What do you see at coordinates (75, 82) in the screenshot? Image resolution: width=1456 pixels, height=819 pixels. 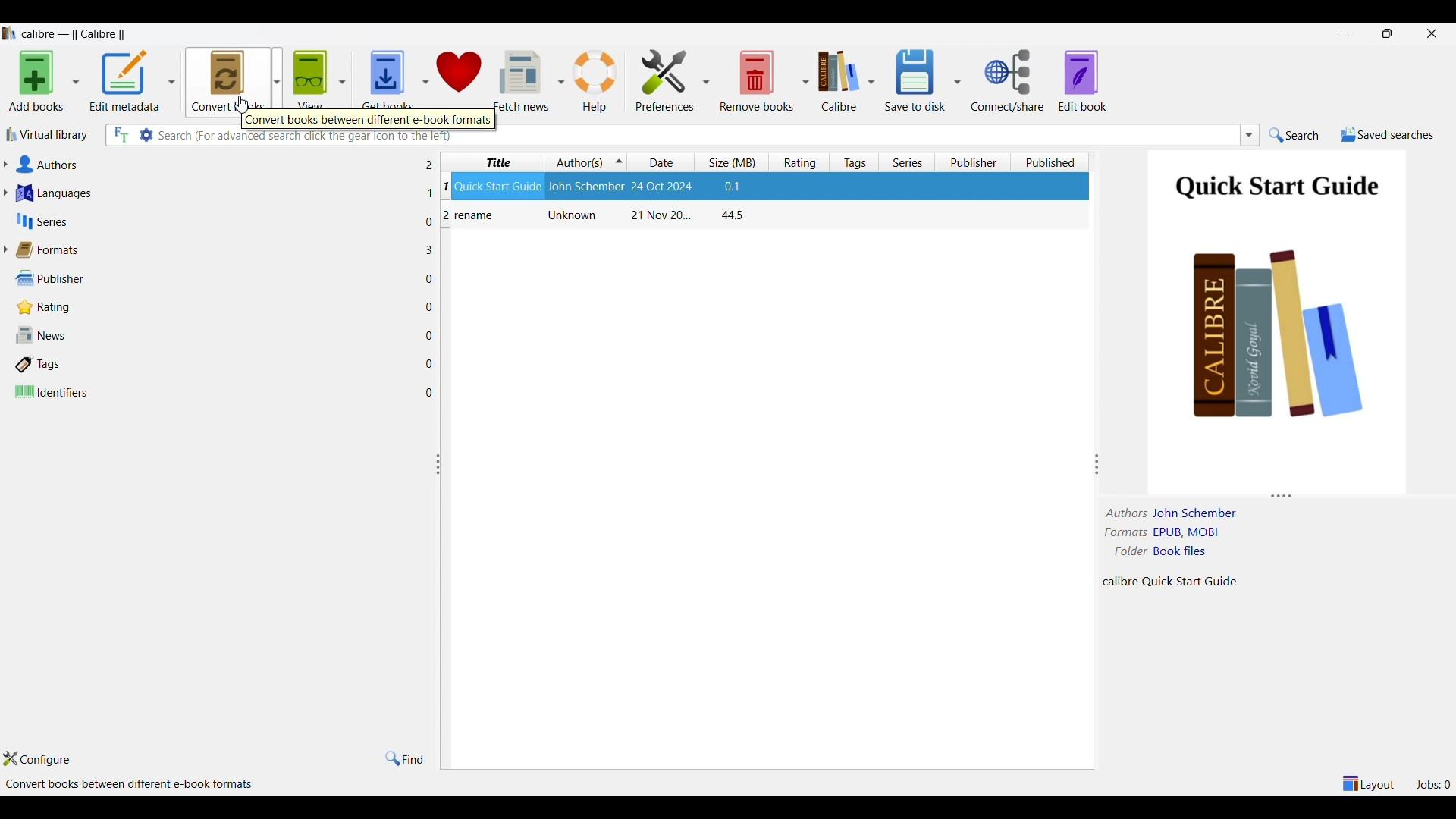 I see `Add book options` at bounding box center [75, 82].